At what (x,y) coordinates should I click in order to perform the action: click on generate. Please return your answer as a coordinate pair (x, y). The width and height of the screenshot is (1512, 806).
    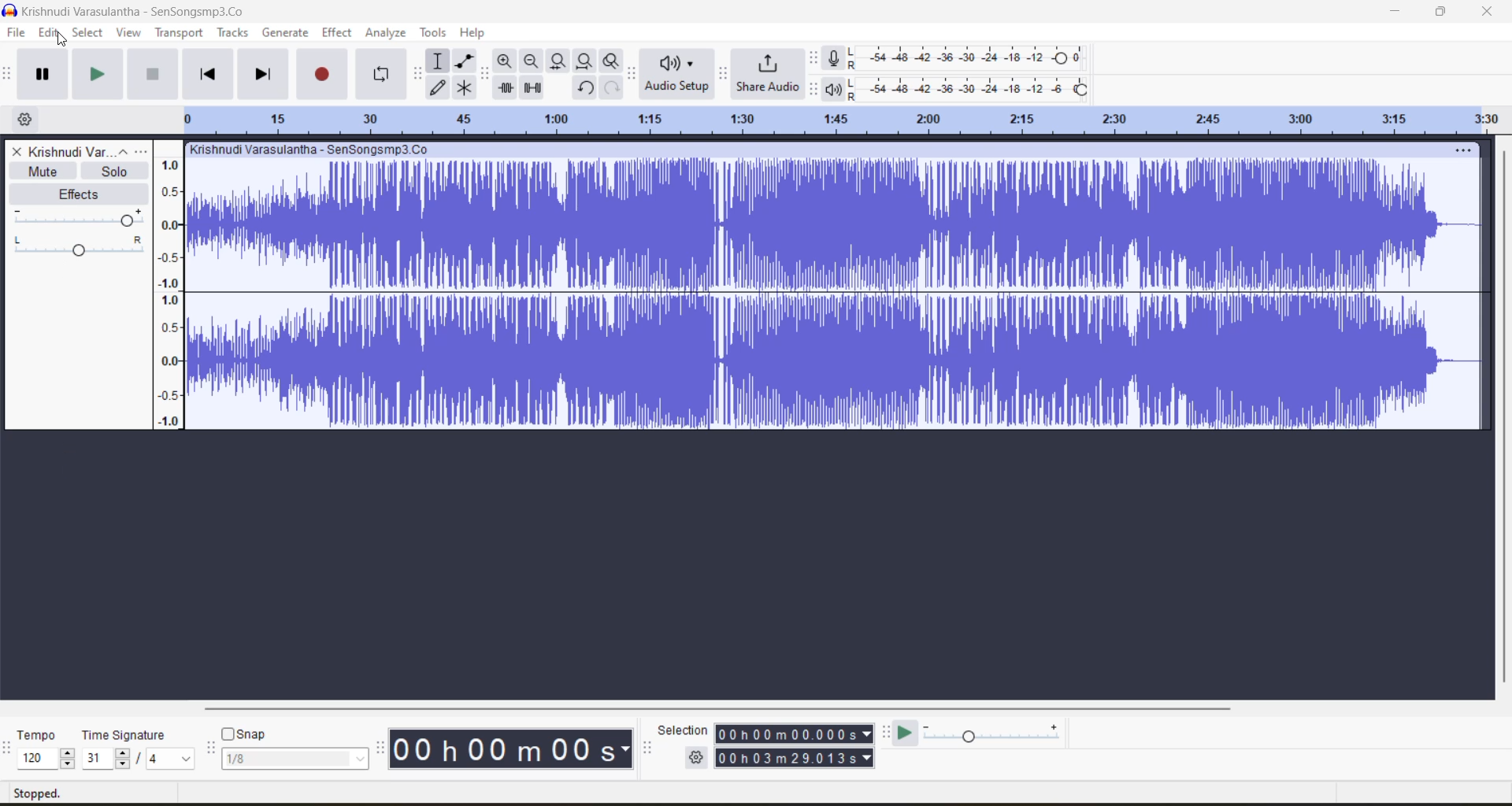
    Looking at the image, I should click on (286, 34).